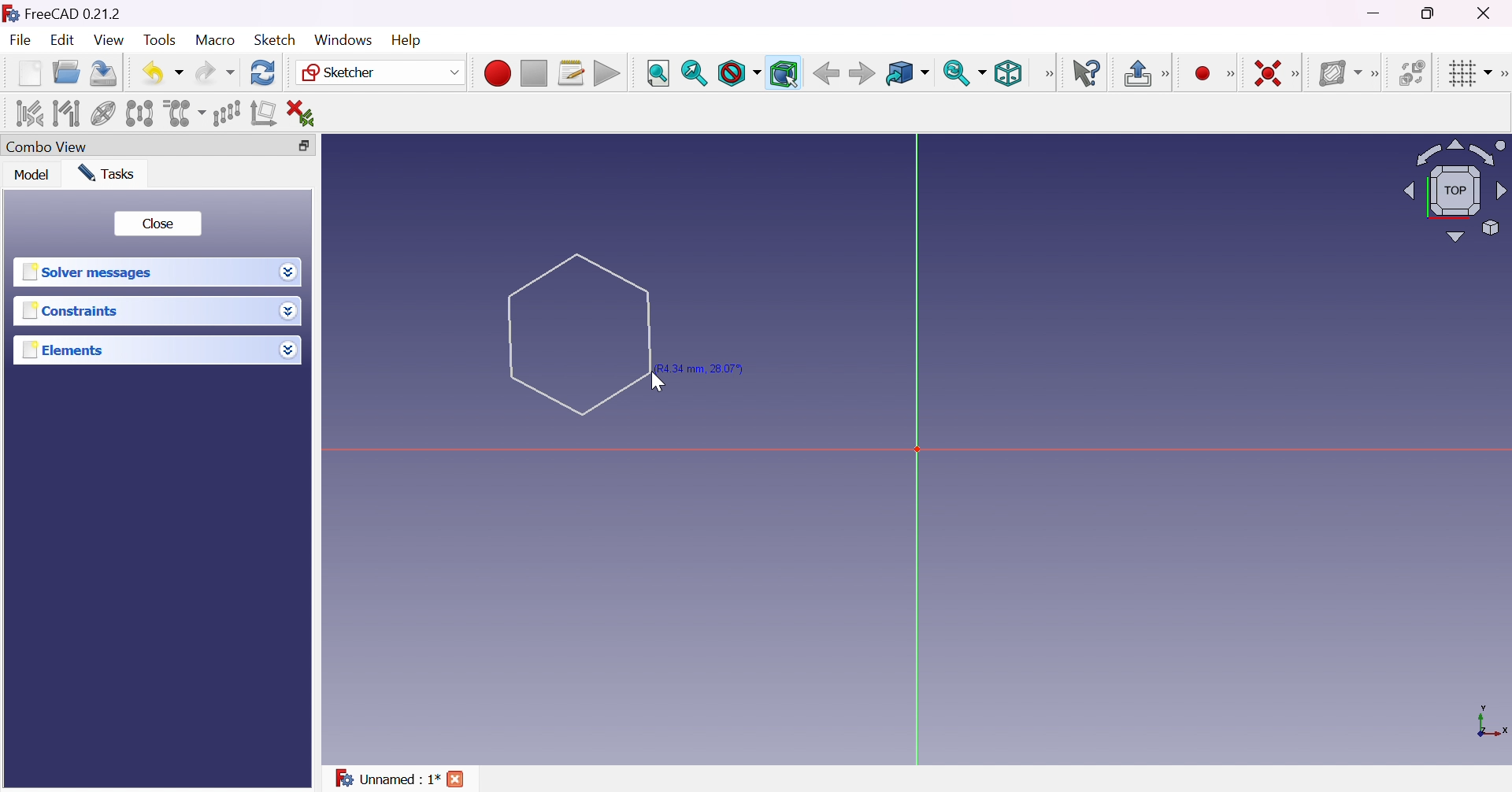  Describe the element at coordinates (31, 113) in the screenshot. I see `Select associated constraints` at that location.